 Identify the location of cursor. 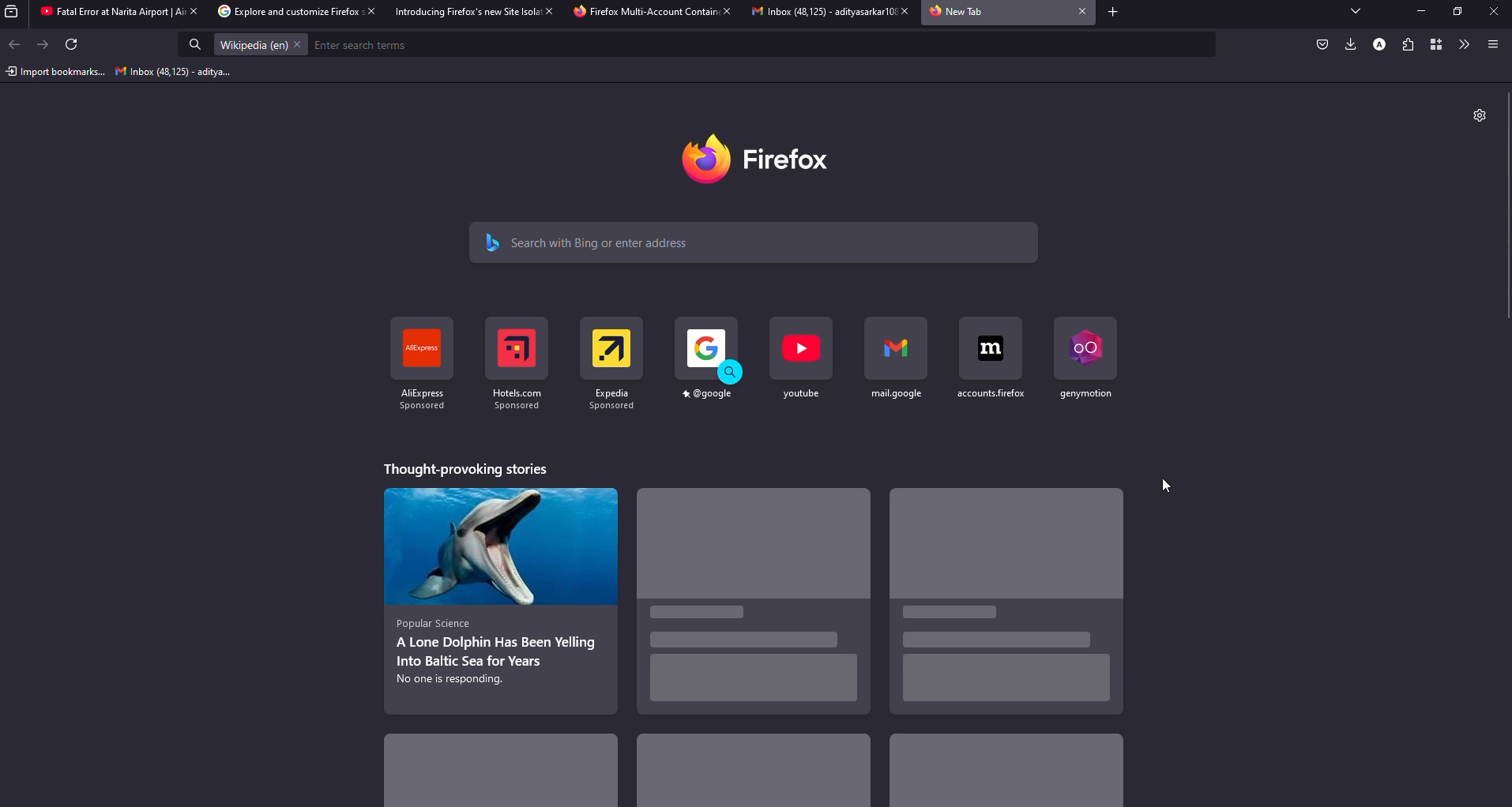
(1168, 486).